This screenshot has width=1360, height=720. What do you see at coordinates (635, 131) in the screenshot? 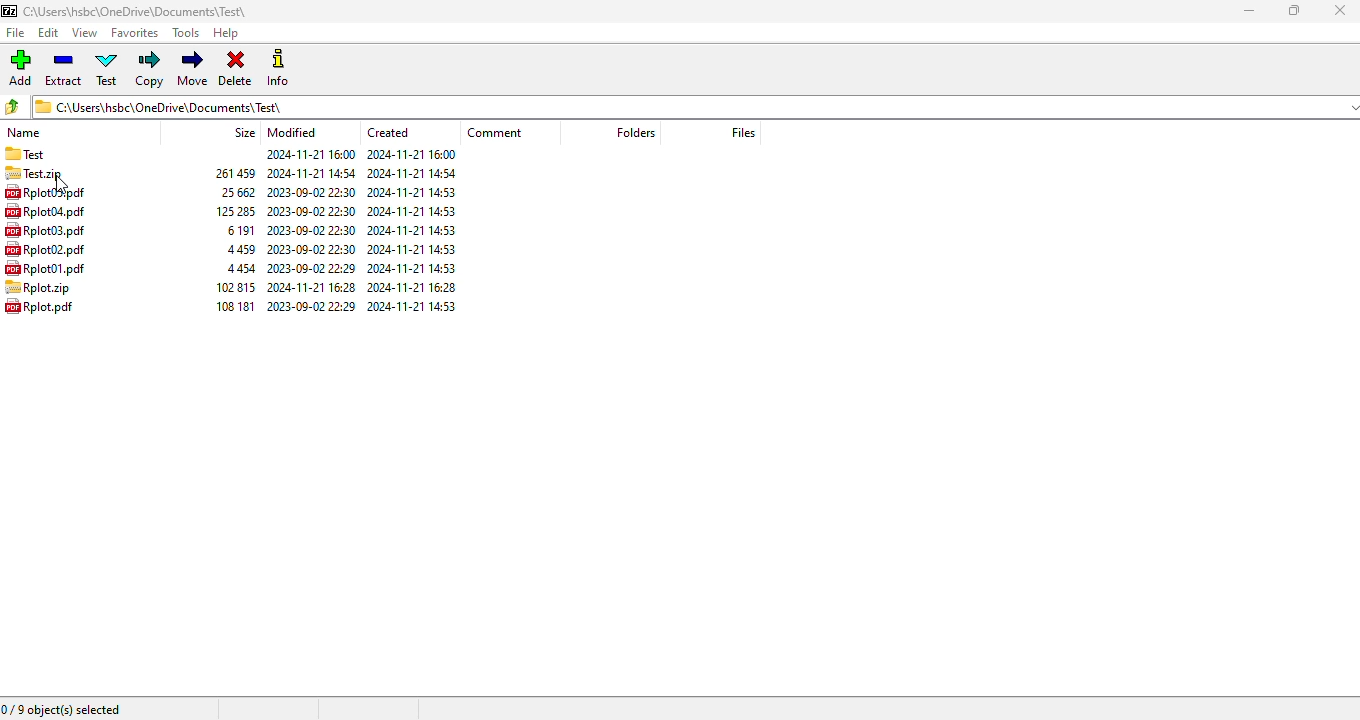
I see `folders` at bounding box center [635, 131].